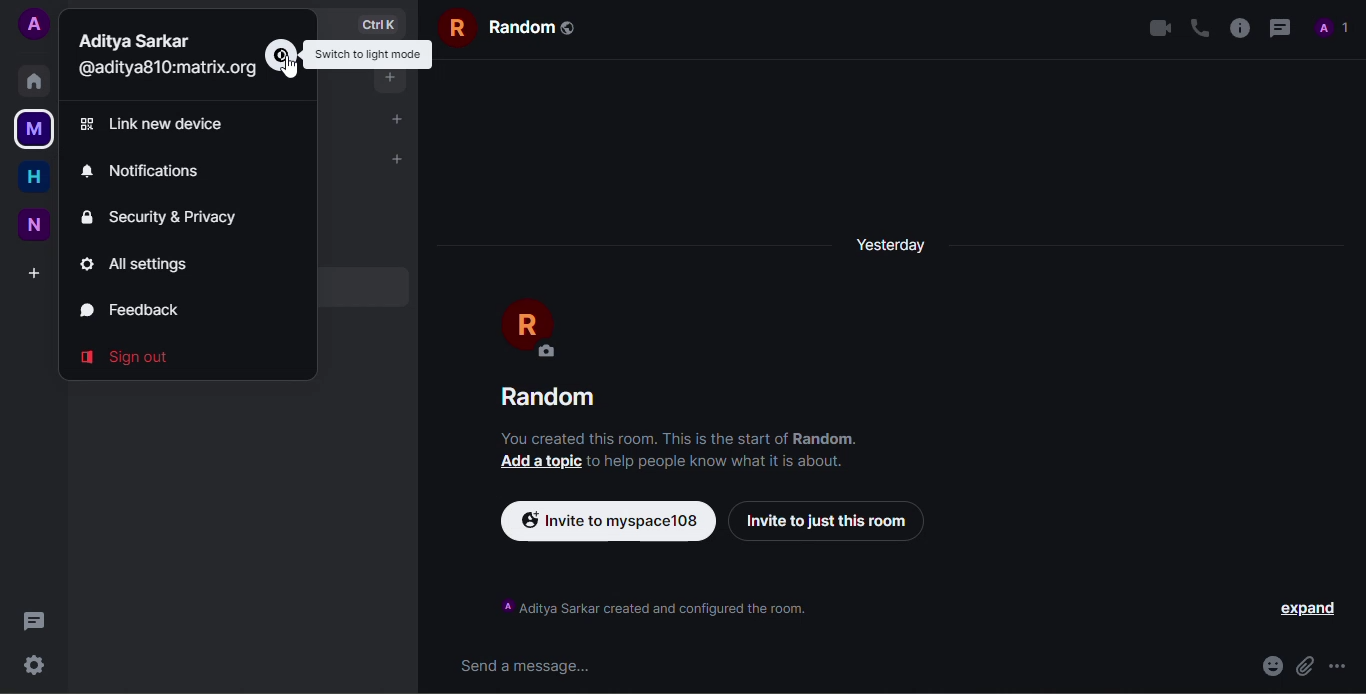 This screenshot has height=694, width=1366. What do you see at coordinates (34, 665) in the screenshot?
I see `settigs` at bounding box center [34, 665].